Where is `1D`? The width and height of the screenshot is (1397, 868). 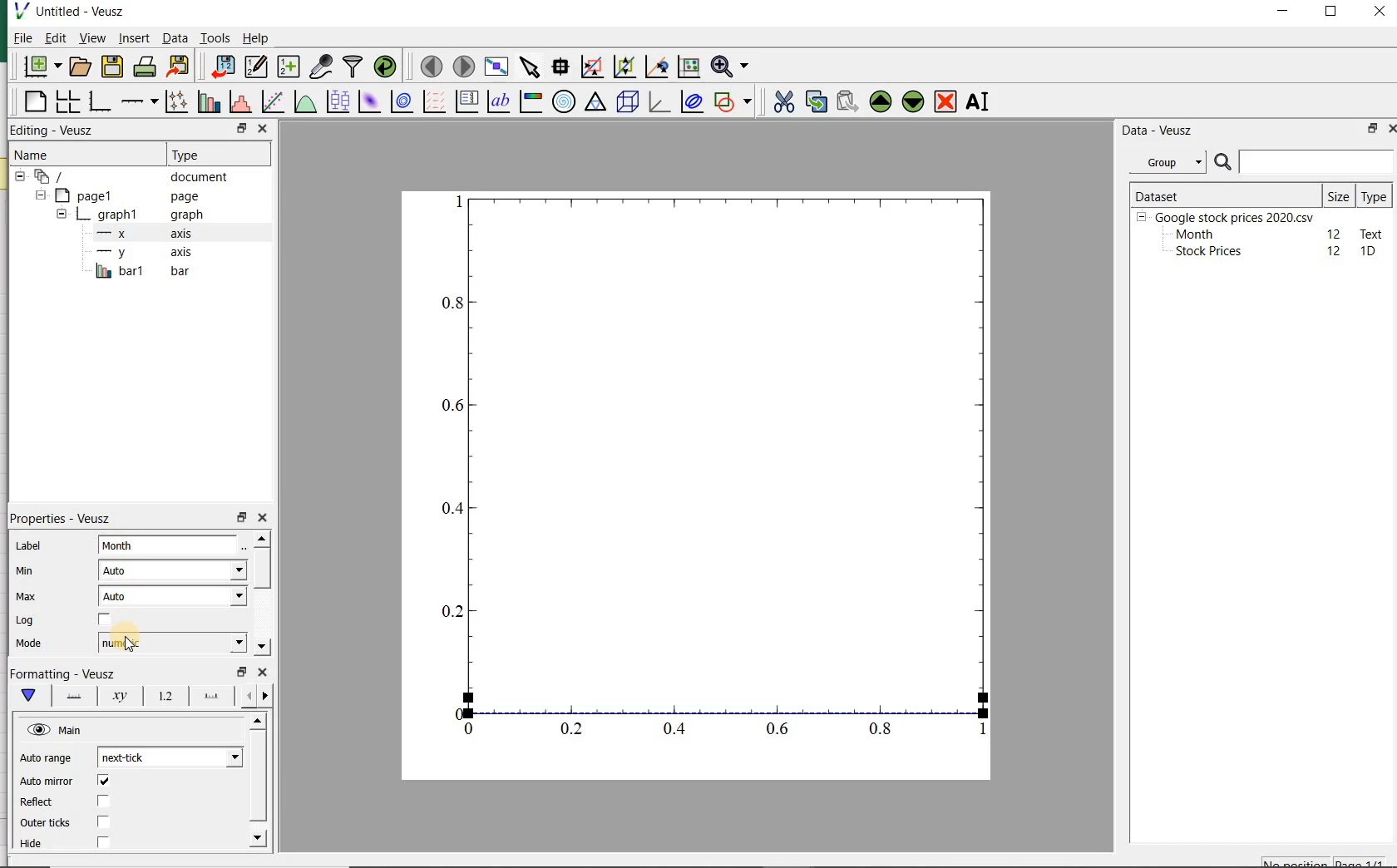 1D is located at coordinates (1370, 252).